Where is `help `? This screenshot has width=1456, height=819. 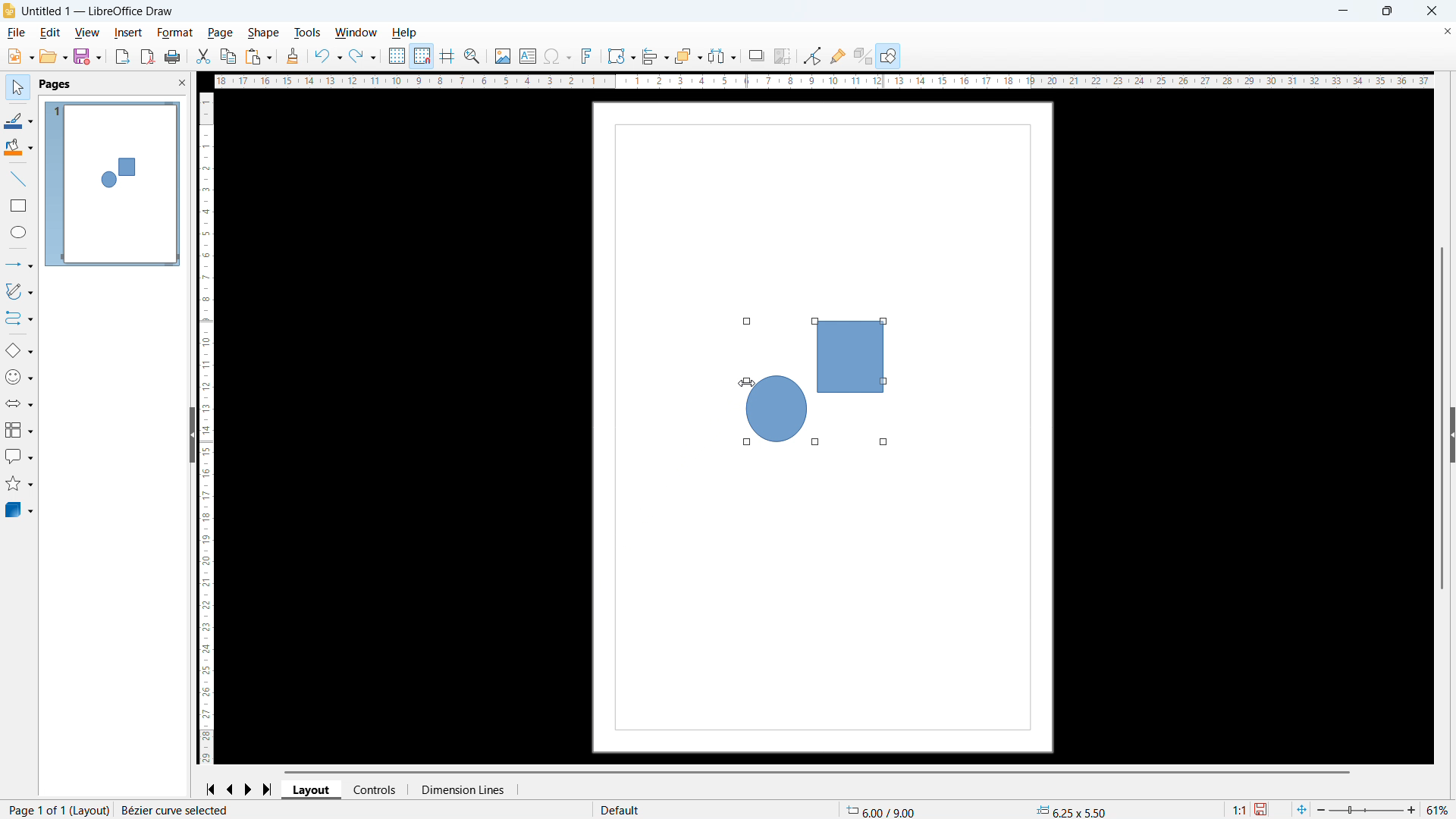
help  is located at coordinates (405, 33).